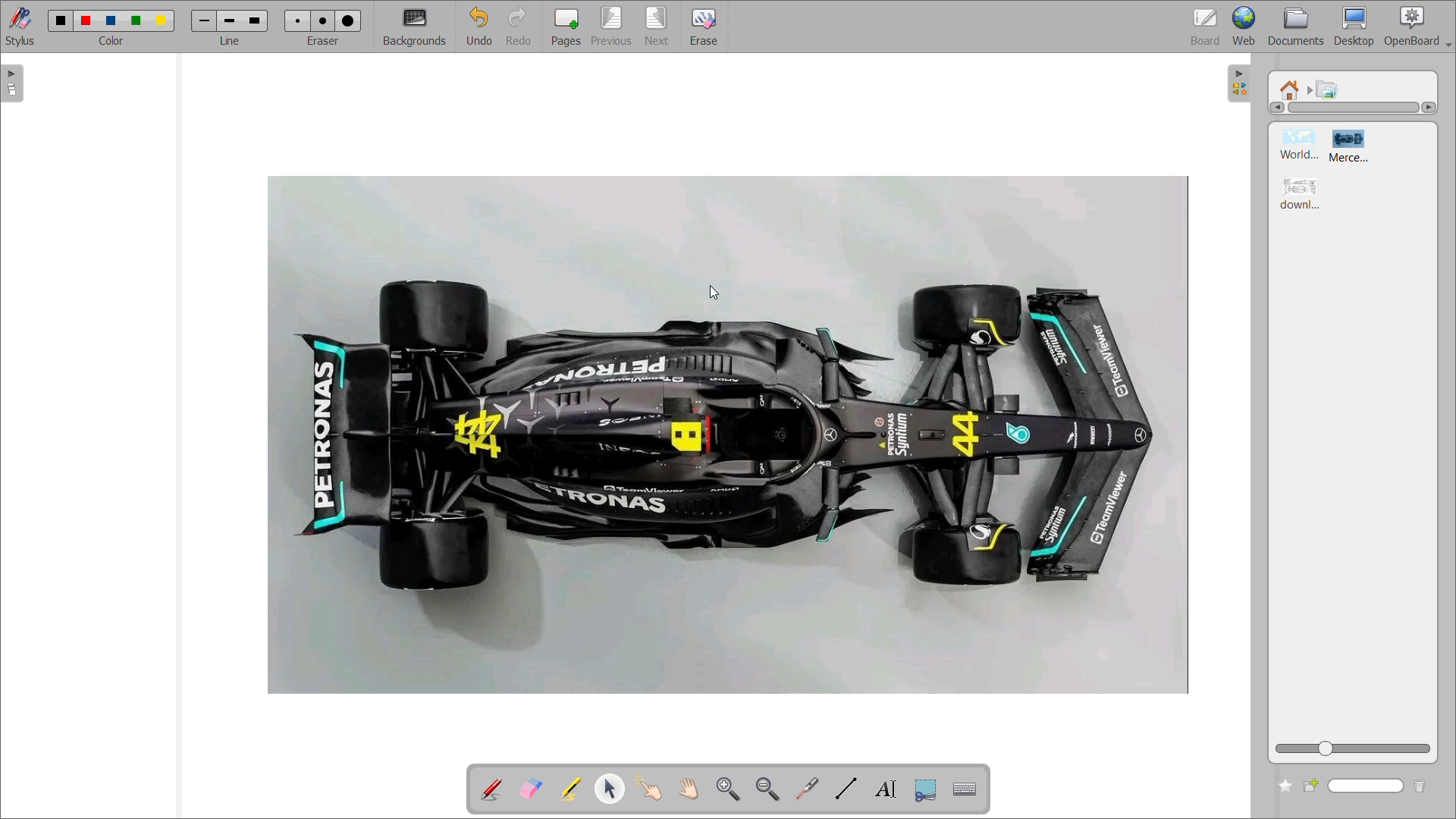 The width and height of the screenshot is (1456, 819). What do you see at coordinates (86, 20) in the screenshot?
I see `color 2` at bounding box center [86, 20].